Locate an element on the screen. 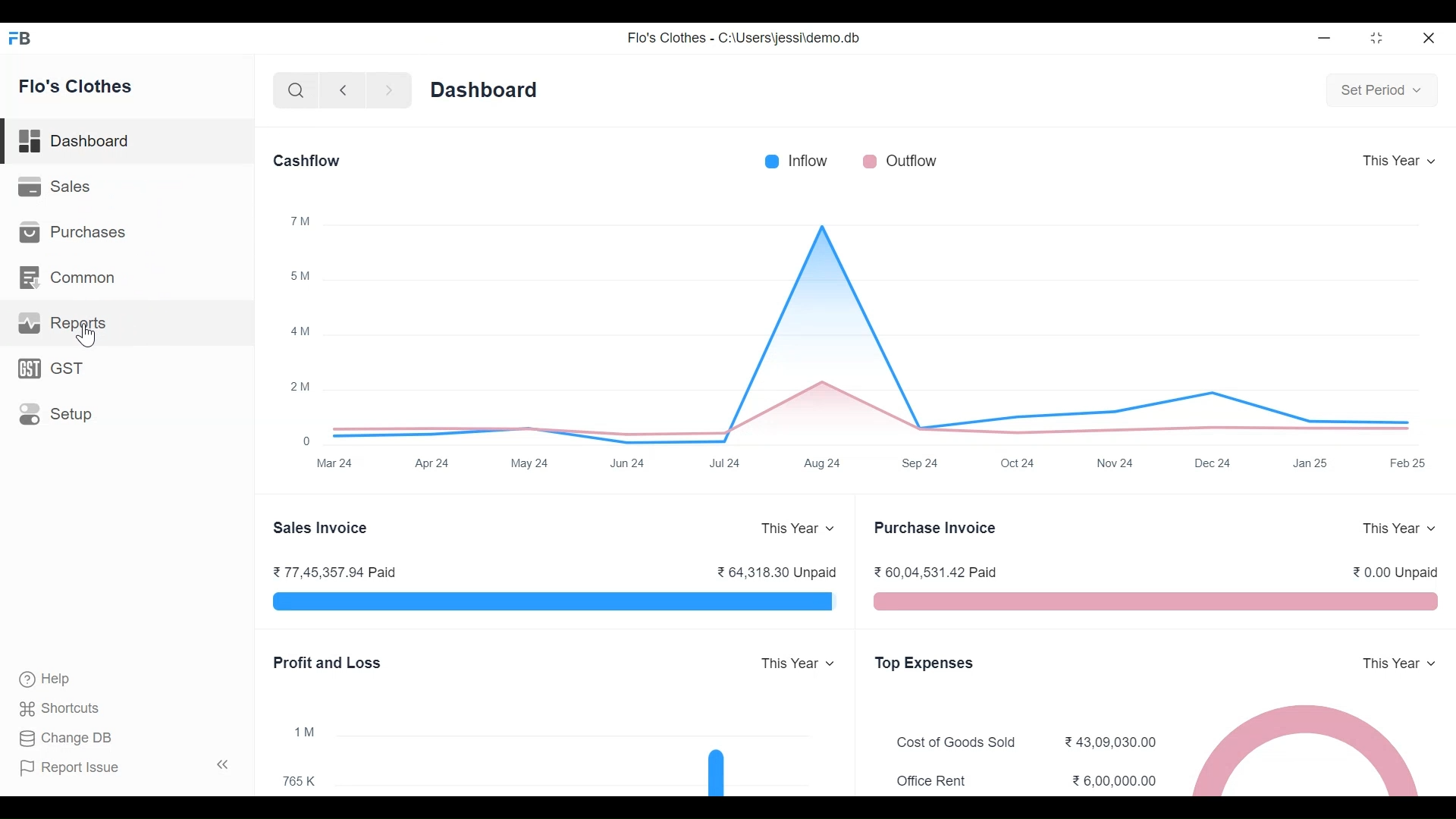 The width and height of the screenshot is (1456, 819). Expand is located at coordinates (1435, 662).